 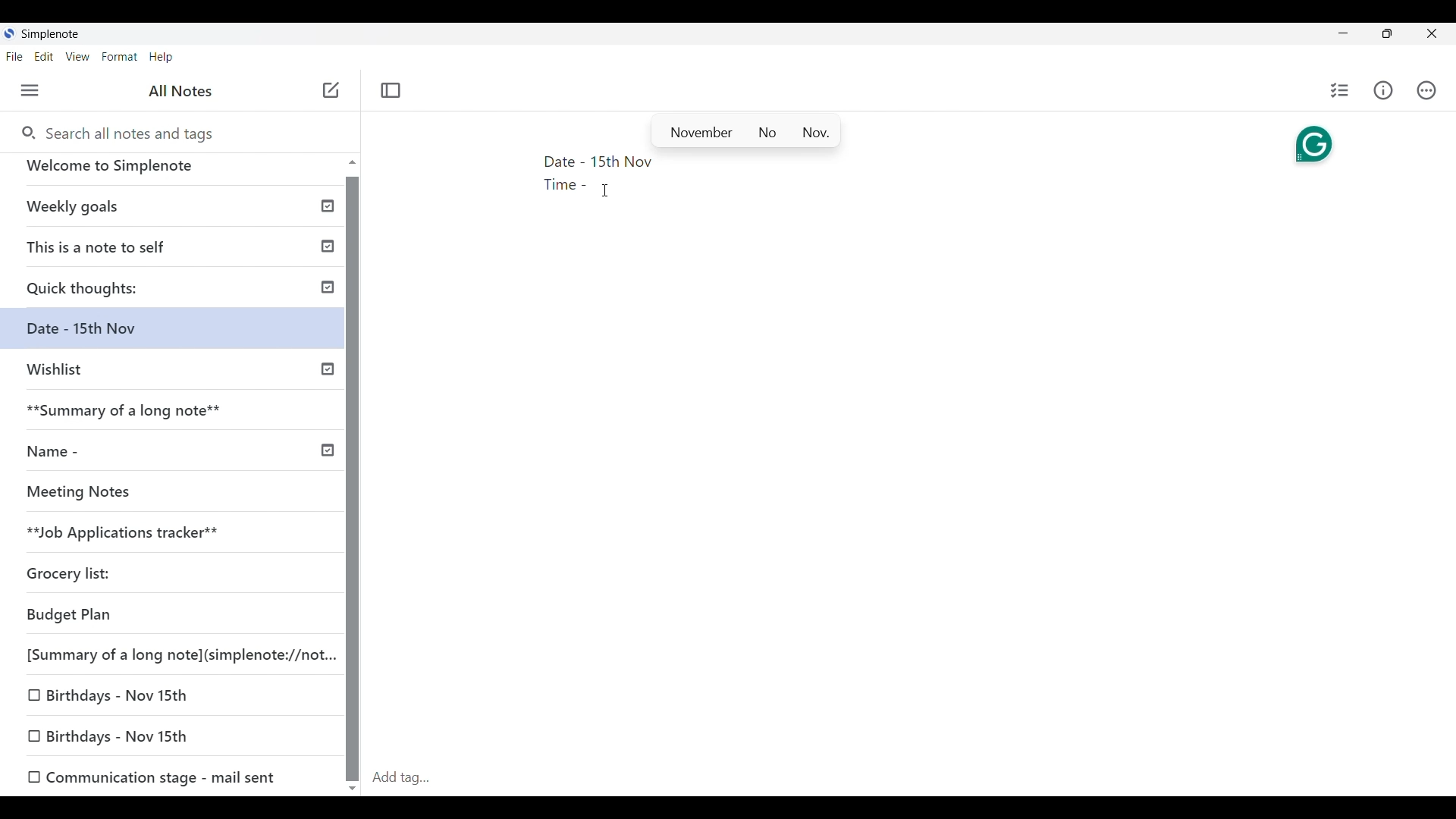 I want to click on Quick slide to bottom, so click(x=353, y=789).